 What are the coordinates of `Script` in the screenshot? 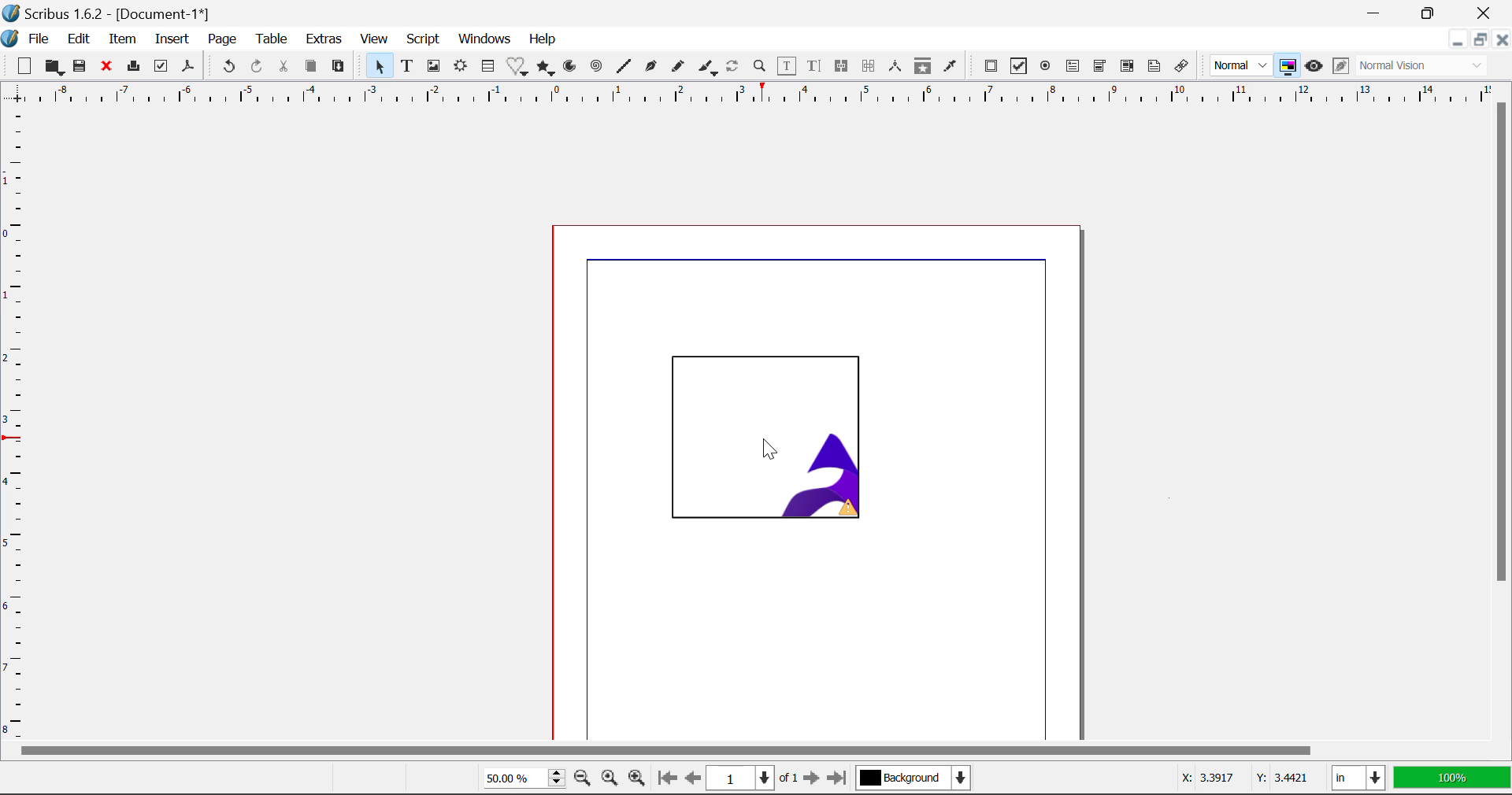 It's located at (422, 39).